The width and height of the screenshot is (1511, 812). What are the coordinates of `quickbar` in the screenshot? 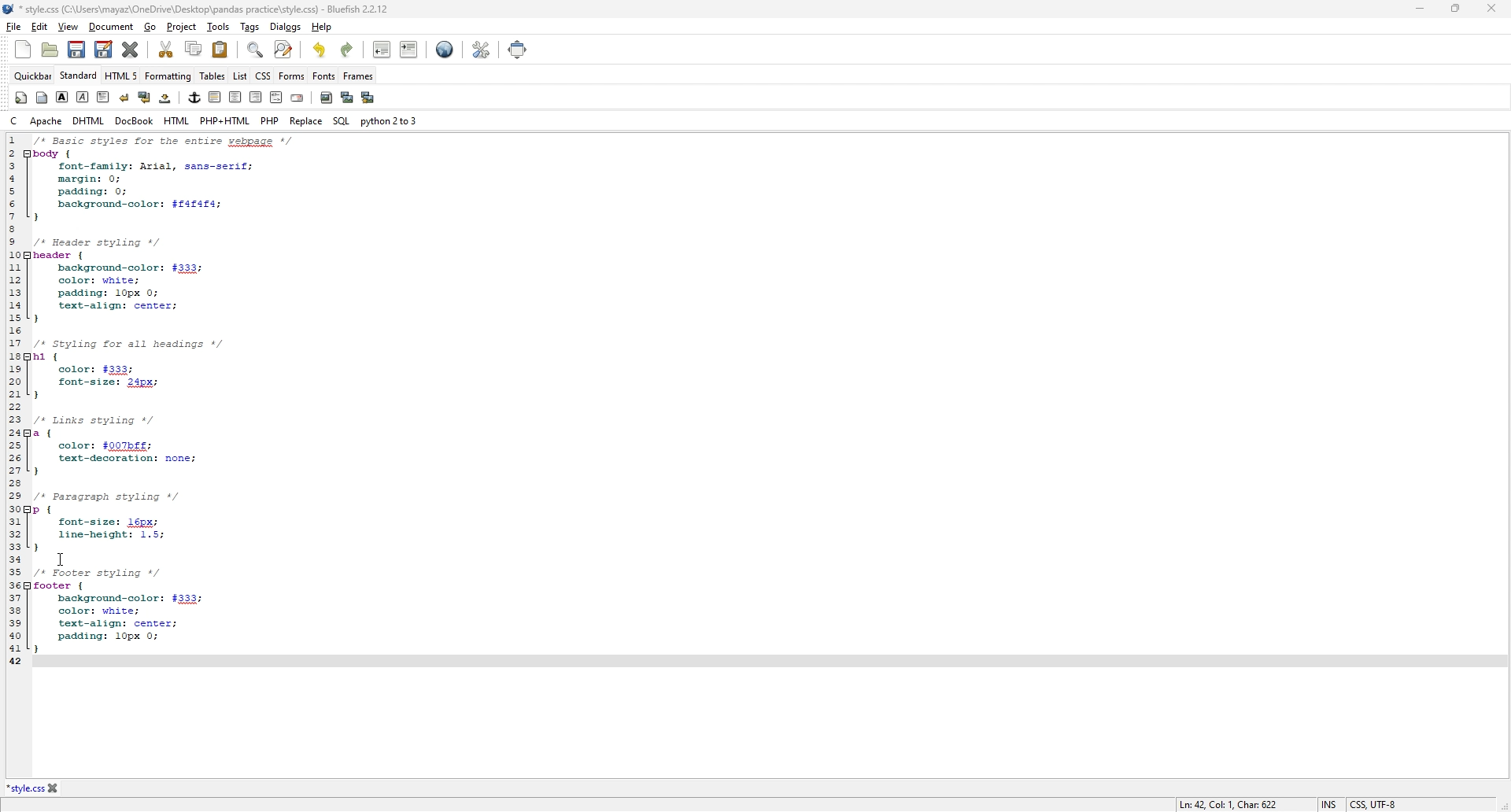 It's located at (20, 98).